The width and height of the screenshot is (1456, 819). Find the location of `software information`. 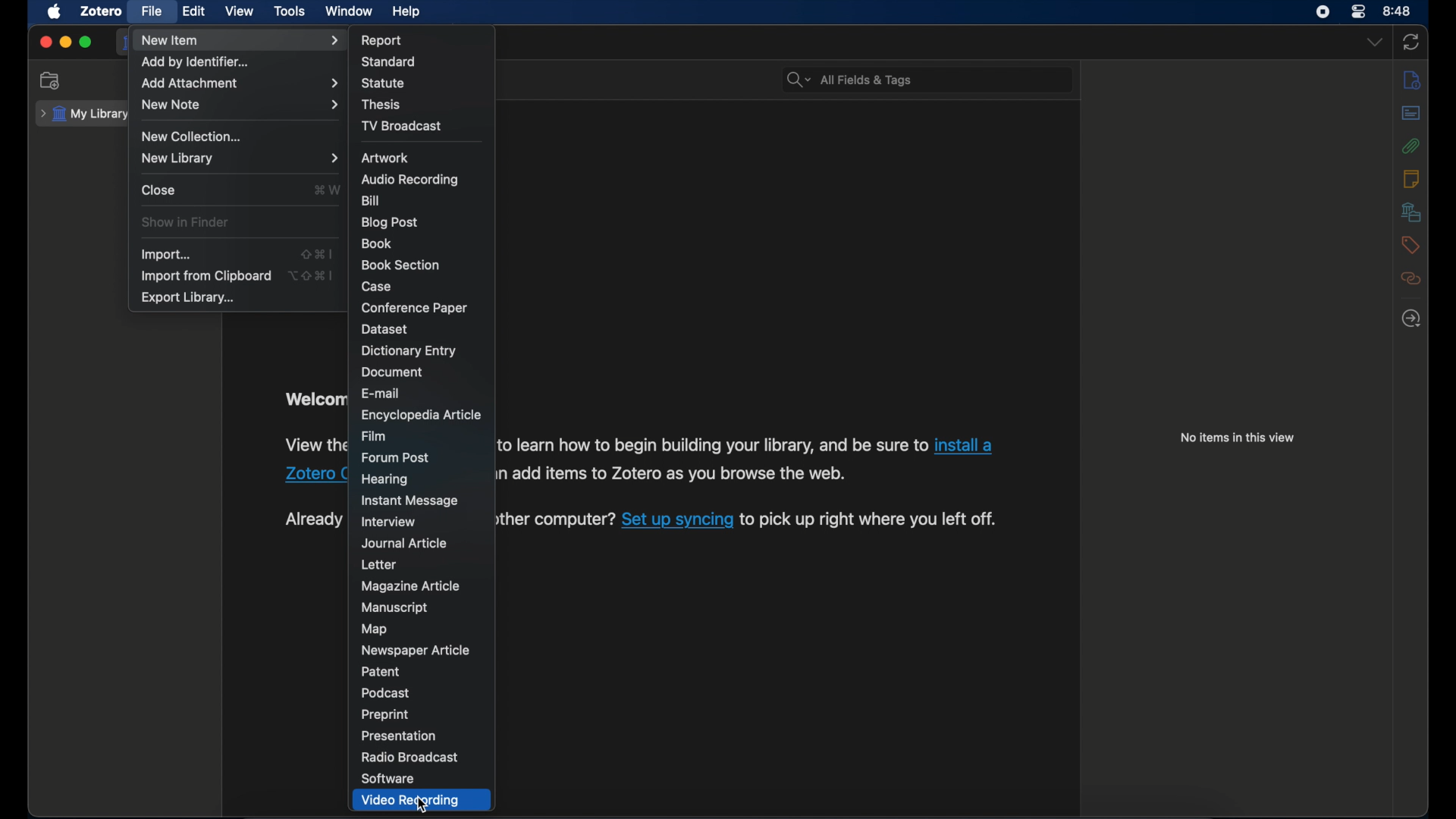

software information is located at coordinates (869, 522).